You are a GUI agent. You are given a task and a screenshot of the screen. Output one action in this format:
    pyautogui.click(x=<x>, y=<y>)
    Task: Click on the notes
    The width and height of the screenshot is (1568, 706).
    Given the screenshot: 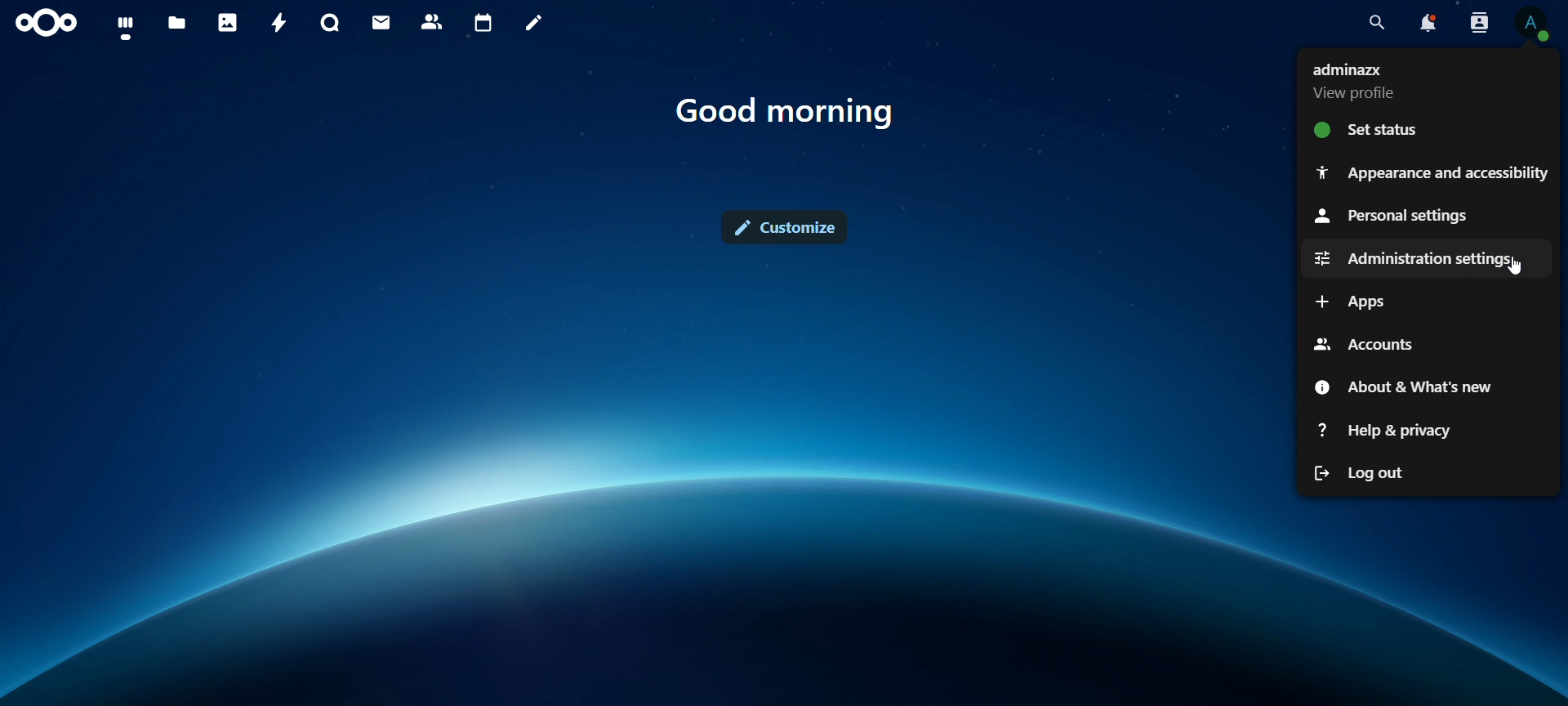 What is the action you would take?
    pyautogui.click(x=533, y=25)
    